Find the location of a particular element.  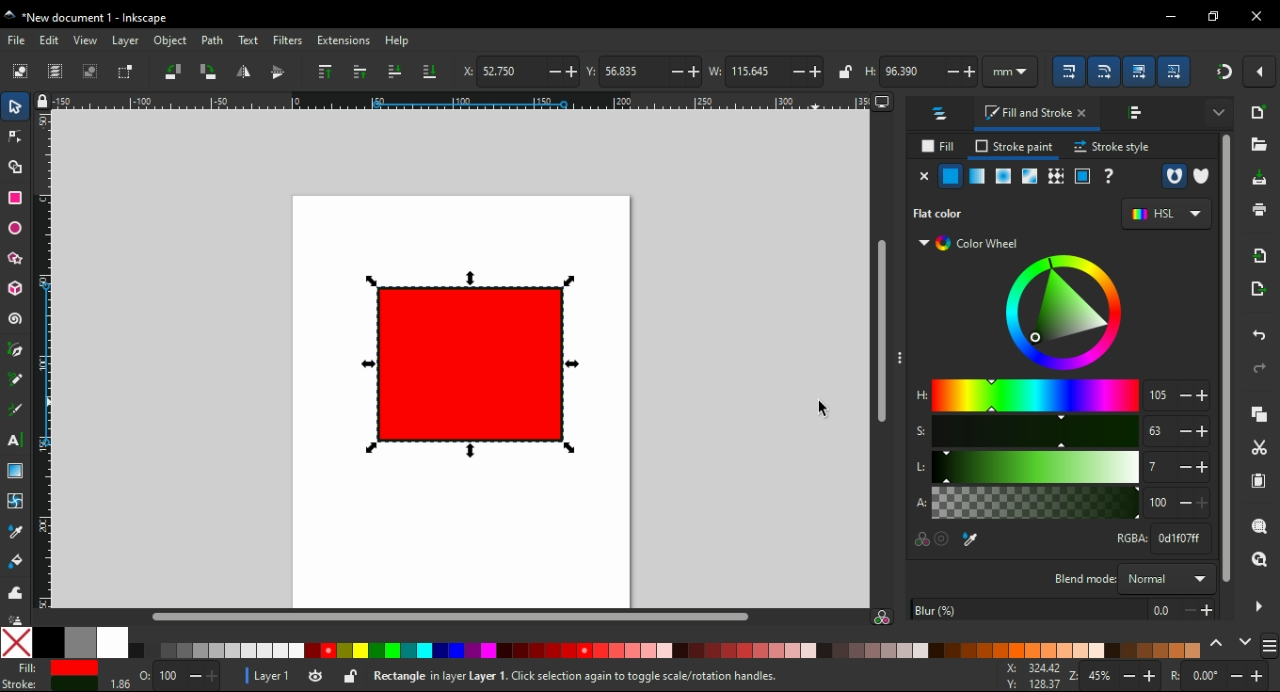

scaling options is located at coordinates (1103, 70).